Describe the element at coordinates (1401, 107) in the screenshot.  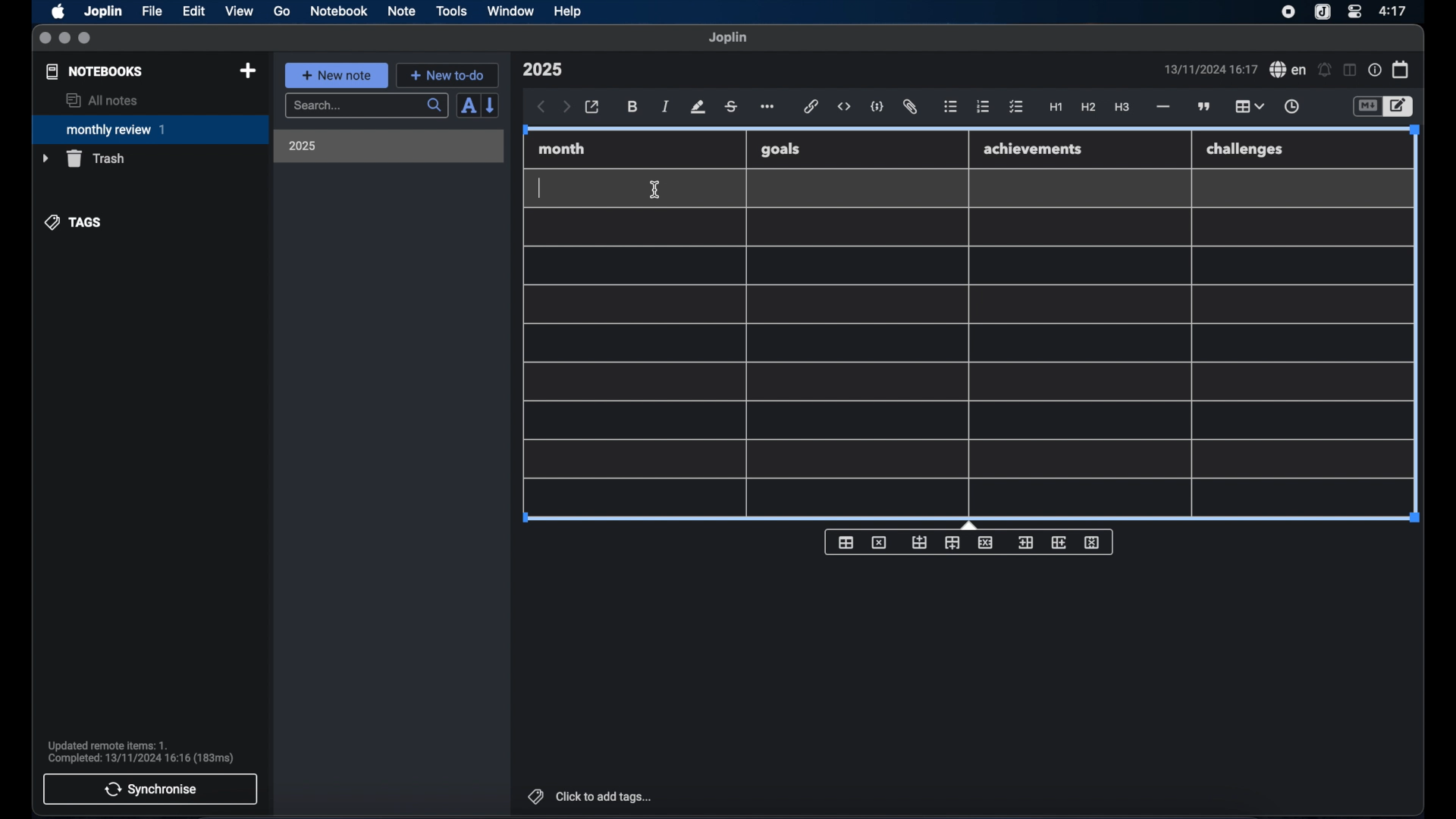
I see `toggle editor` at that location.